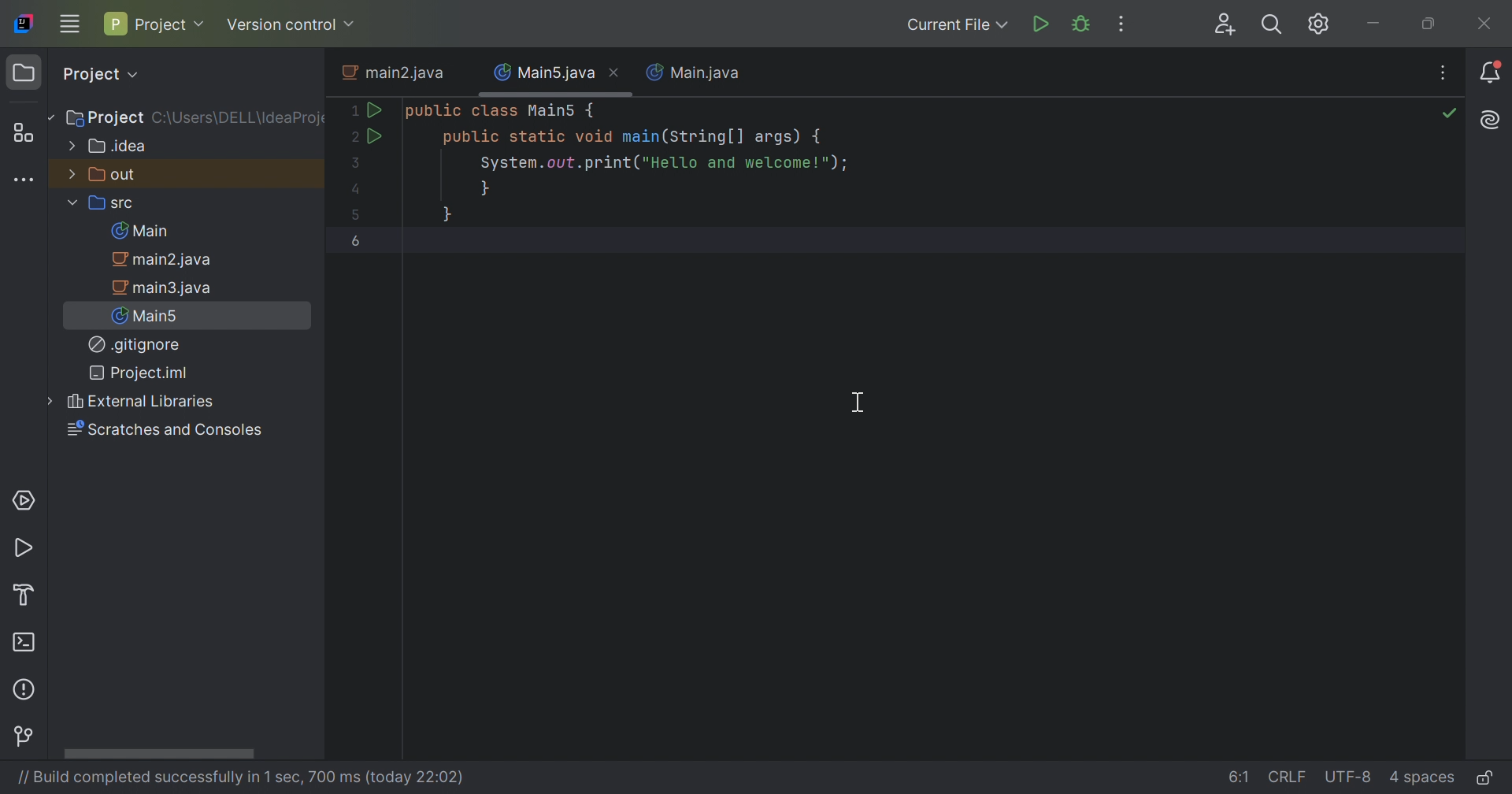 Image resolution: width=1512 pixels, height=794 pixels. What do you see at coordinates (1227, 25) in the screenshot?
I see `Code With Me` at bounding box center [1227, 25].